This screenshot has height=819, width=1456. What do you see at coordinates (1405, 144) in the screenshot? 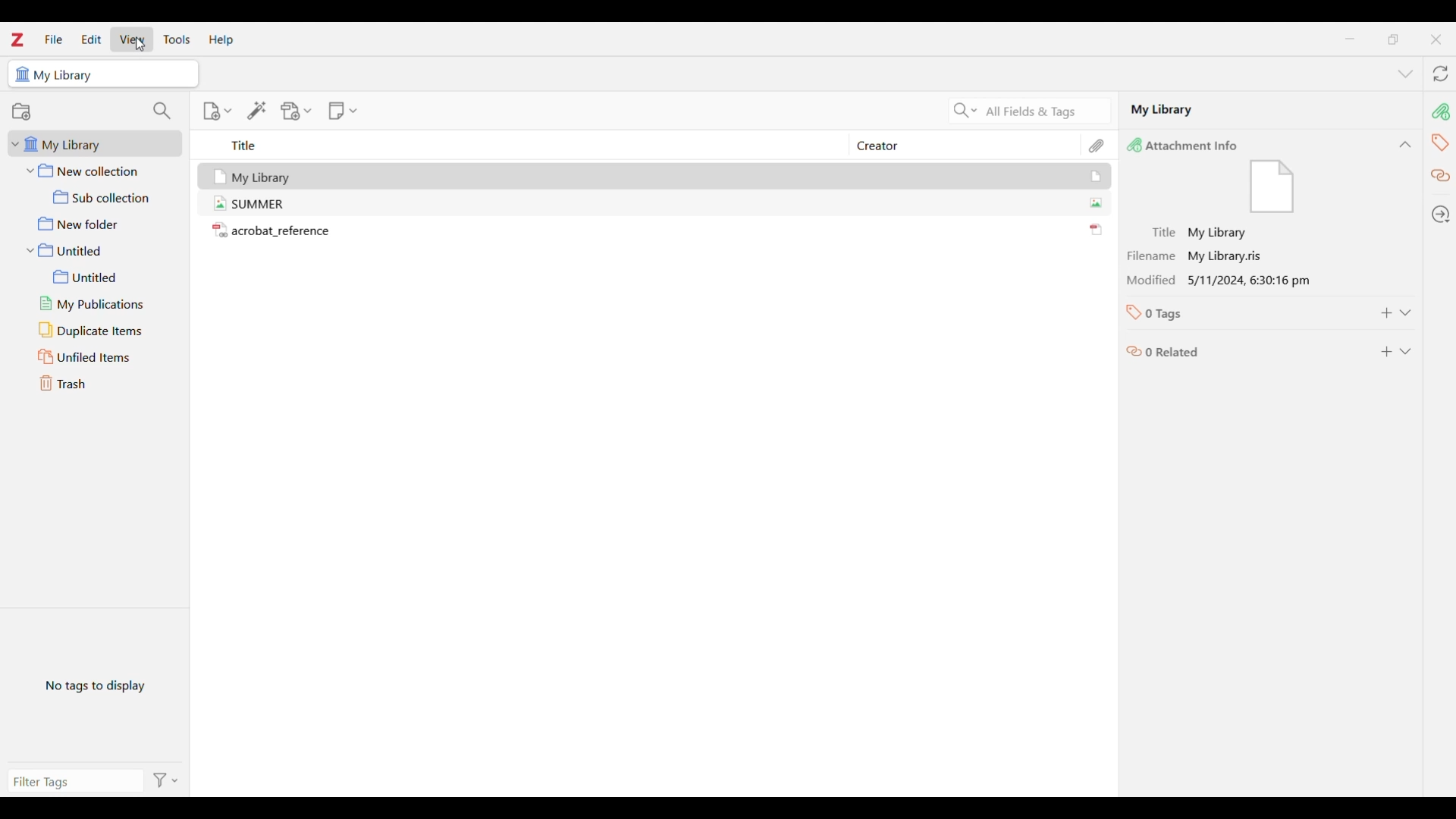
I see `Collapse` at bounding box center [1405, 144].